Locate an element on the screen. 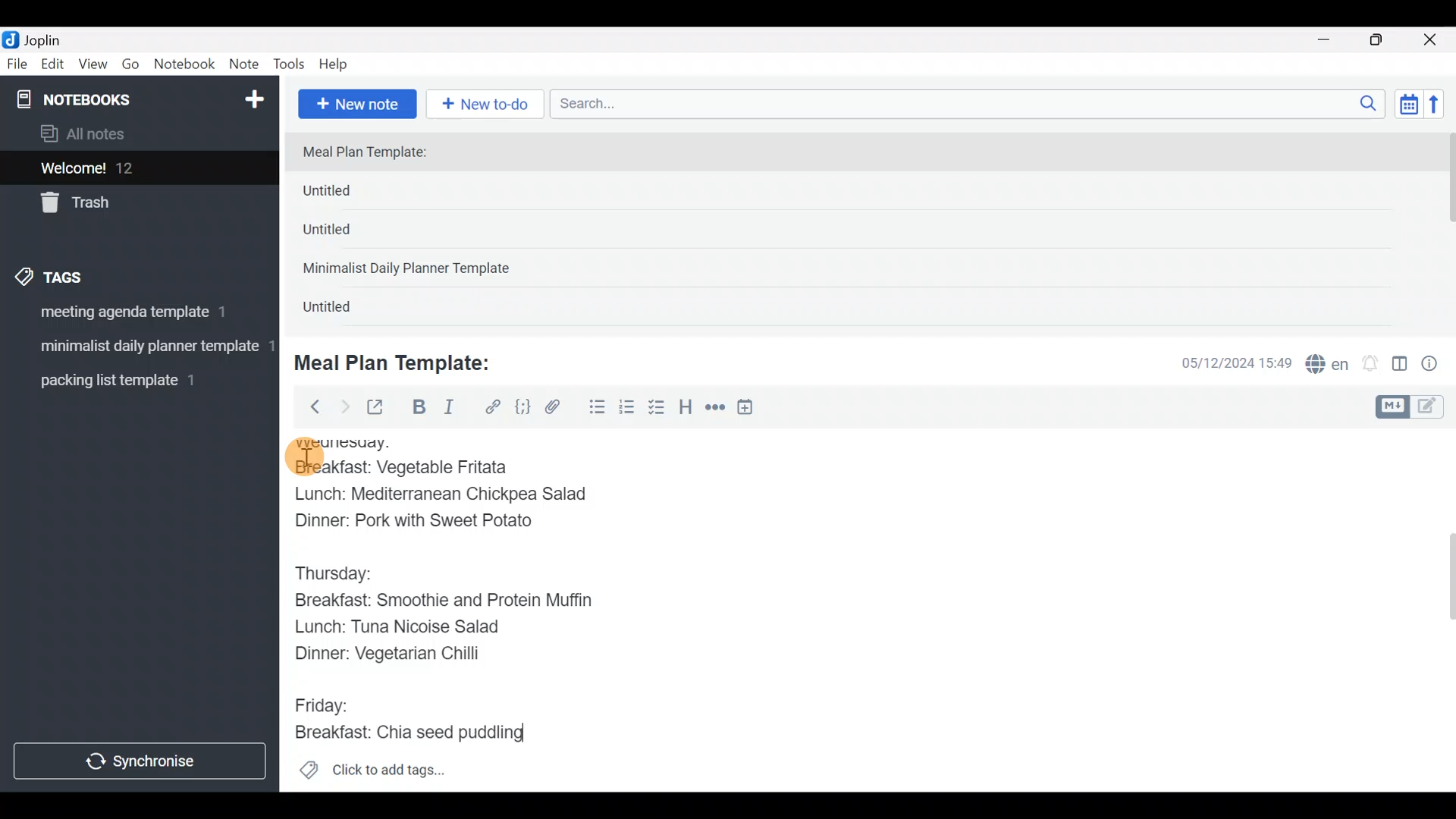  Reverse sort is located at coordinates (1442, 108).